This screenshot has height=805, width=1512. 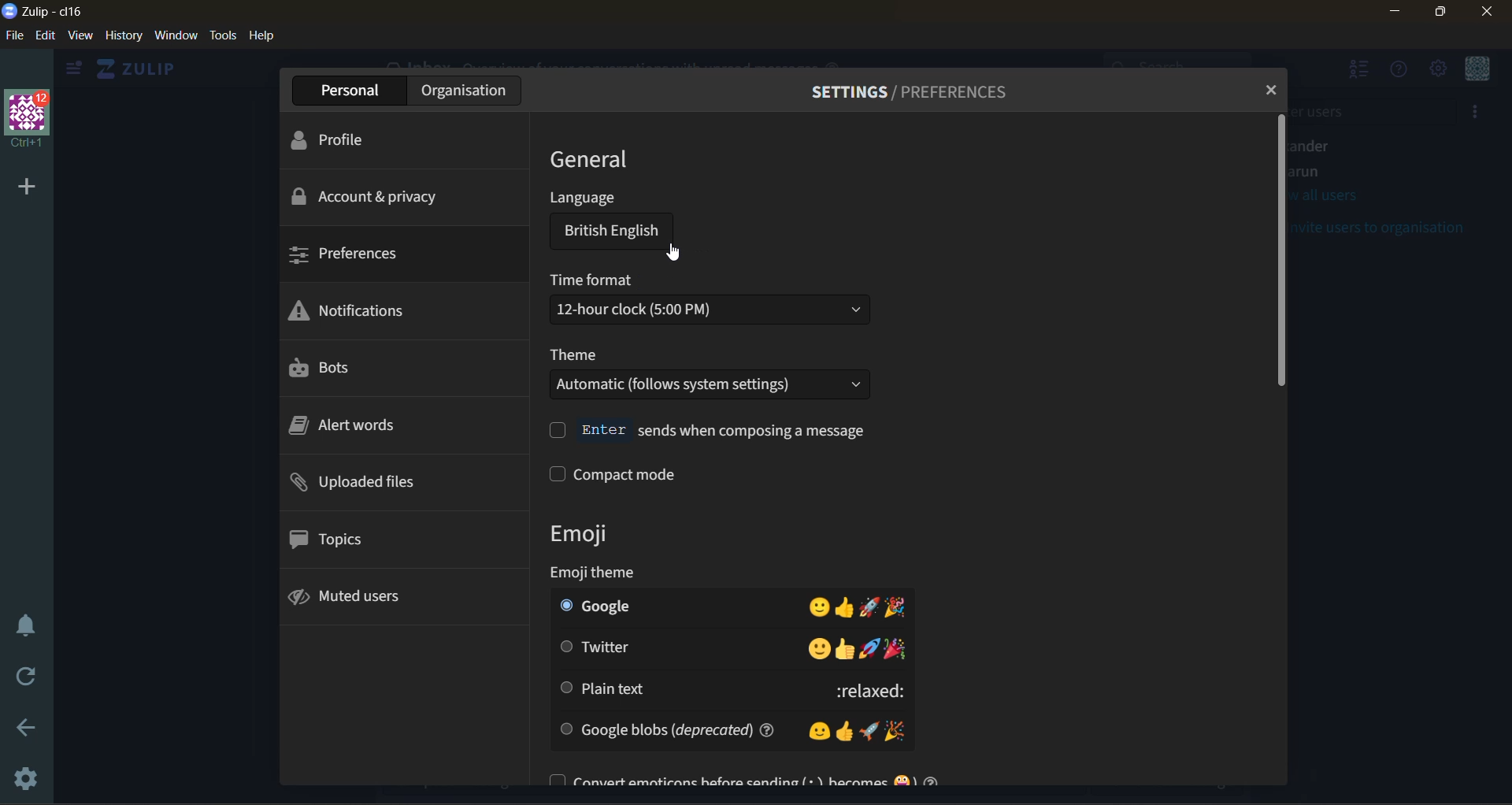 What do you see at coordinates (1494, 13) in the screenshot?
I see `close` at bounding box center [1494, 13].